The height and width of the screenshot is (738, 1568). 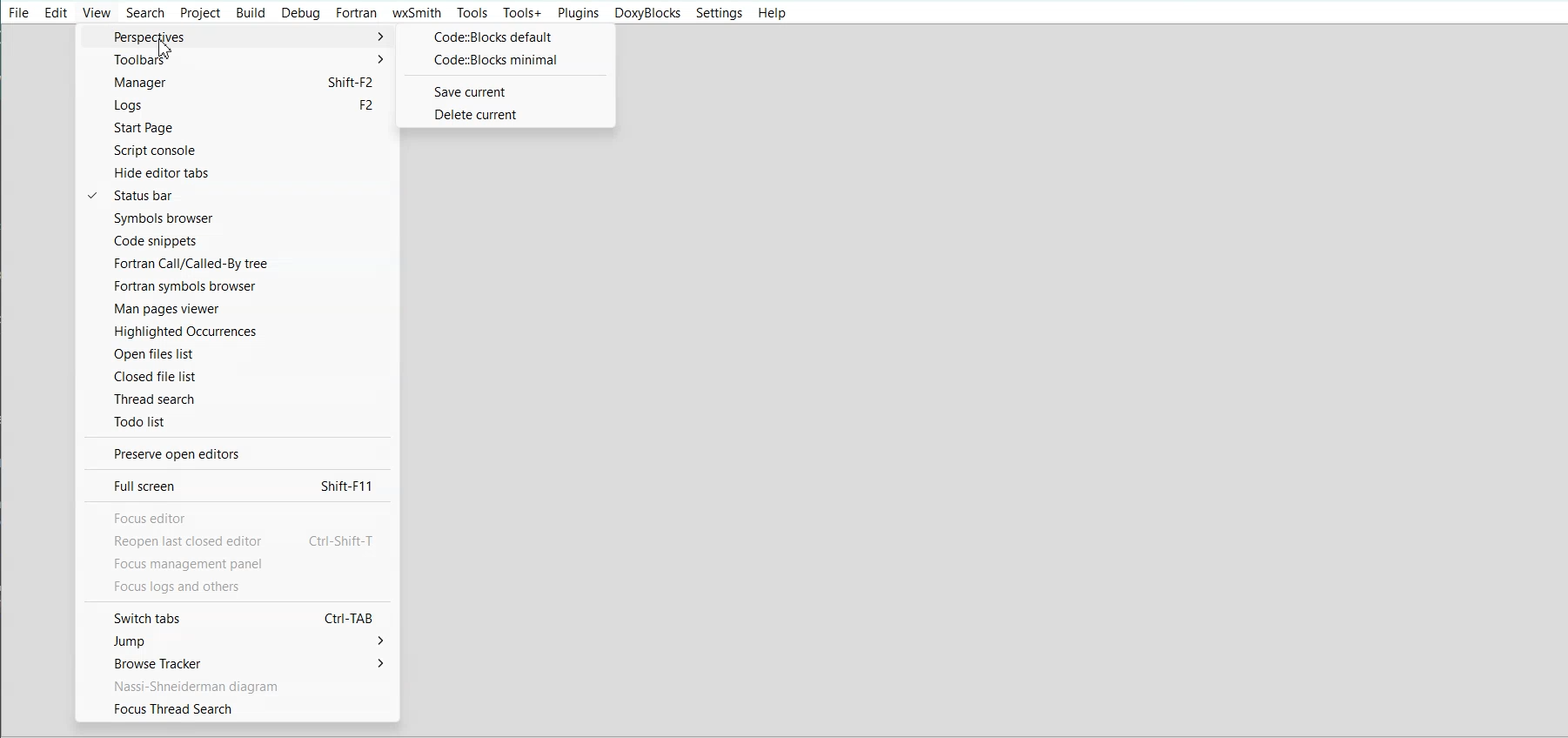 I want to click on Todo list, so click(x=237, y=421).